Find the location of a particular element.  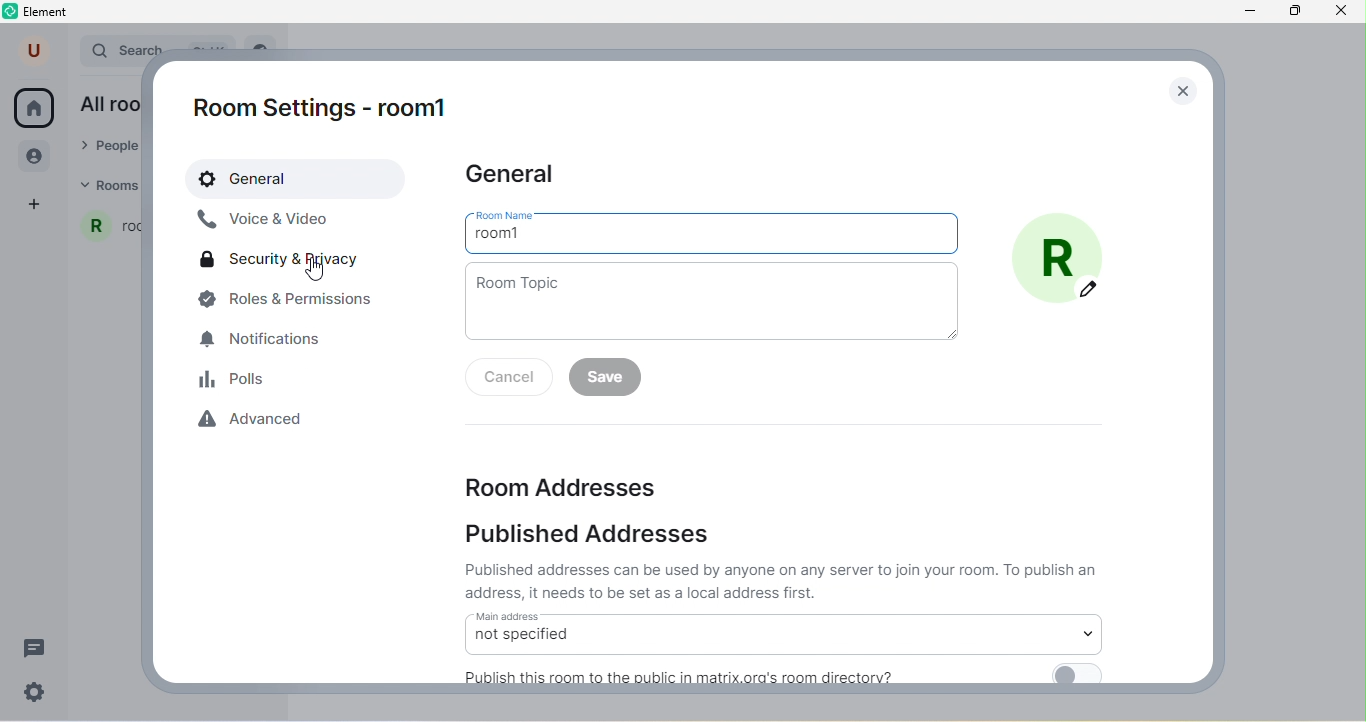

polls is located at coordinates (234, 379).